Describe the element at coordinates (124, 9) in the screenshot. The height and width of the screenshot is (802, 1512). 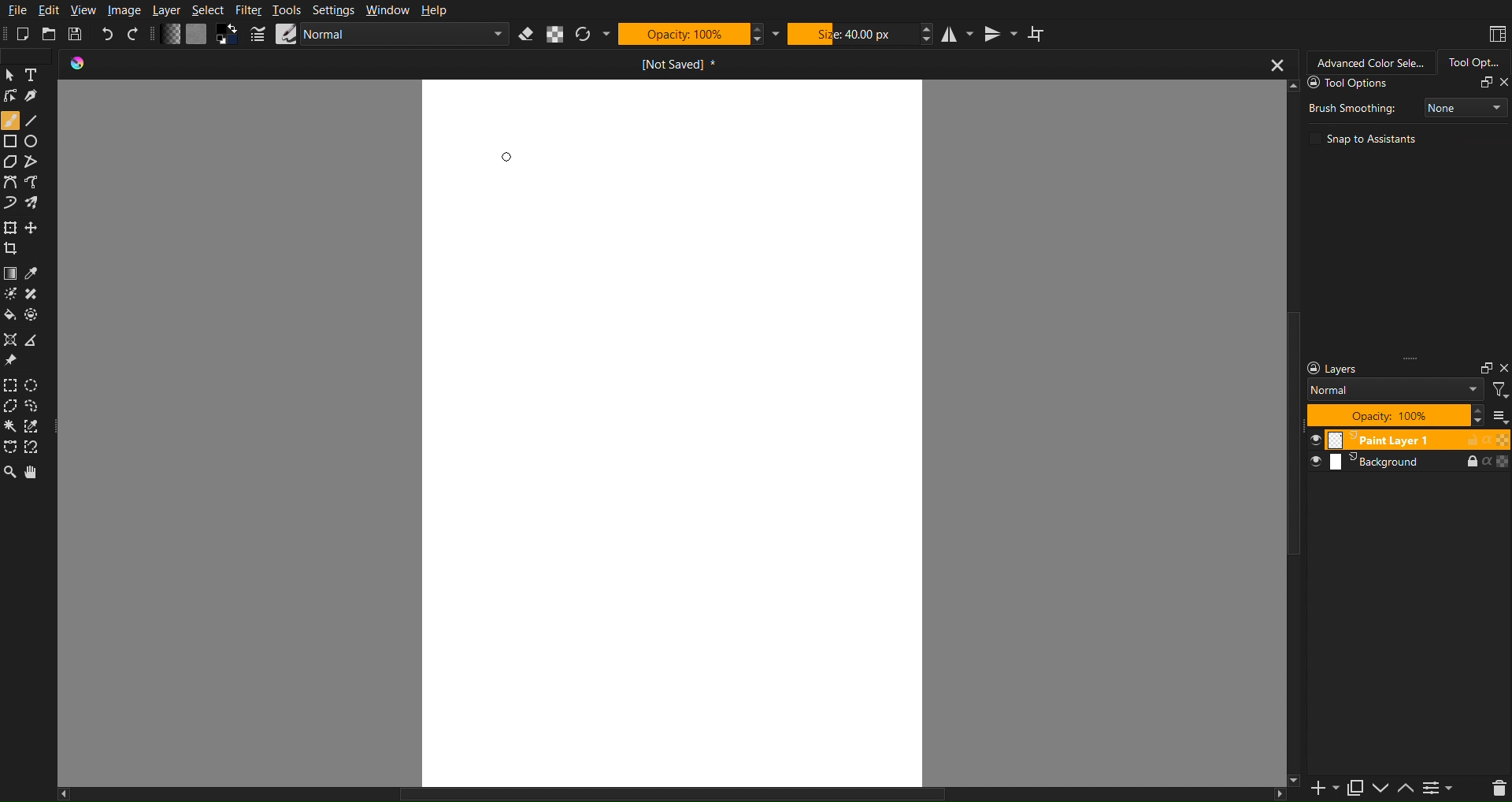
I see `Image` at that location.